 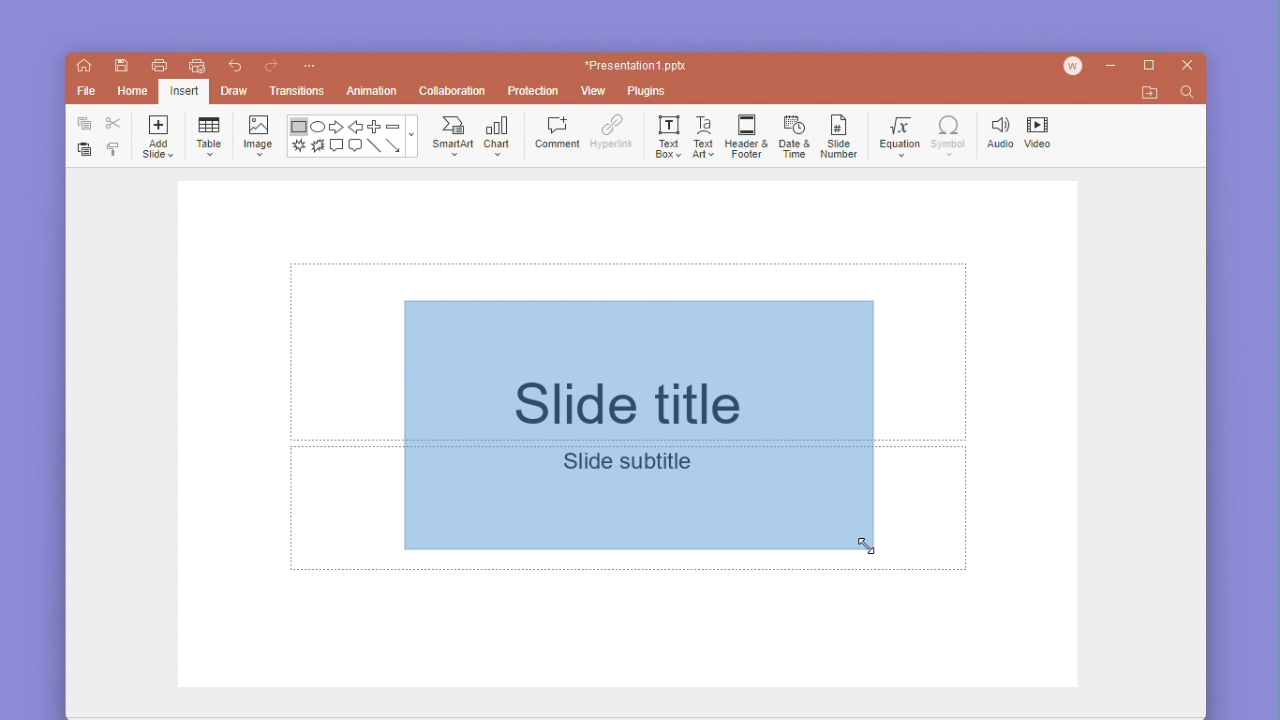 What do you see at coordinates (638, 424) in the screenshot?
I see `initial stage of the shape (rectangle) being drawn` at bounding box center [638, 424].